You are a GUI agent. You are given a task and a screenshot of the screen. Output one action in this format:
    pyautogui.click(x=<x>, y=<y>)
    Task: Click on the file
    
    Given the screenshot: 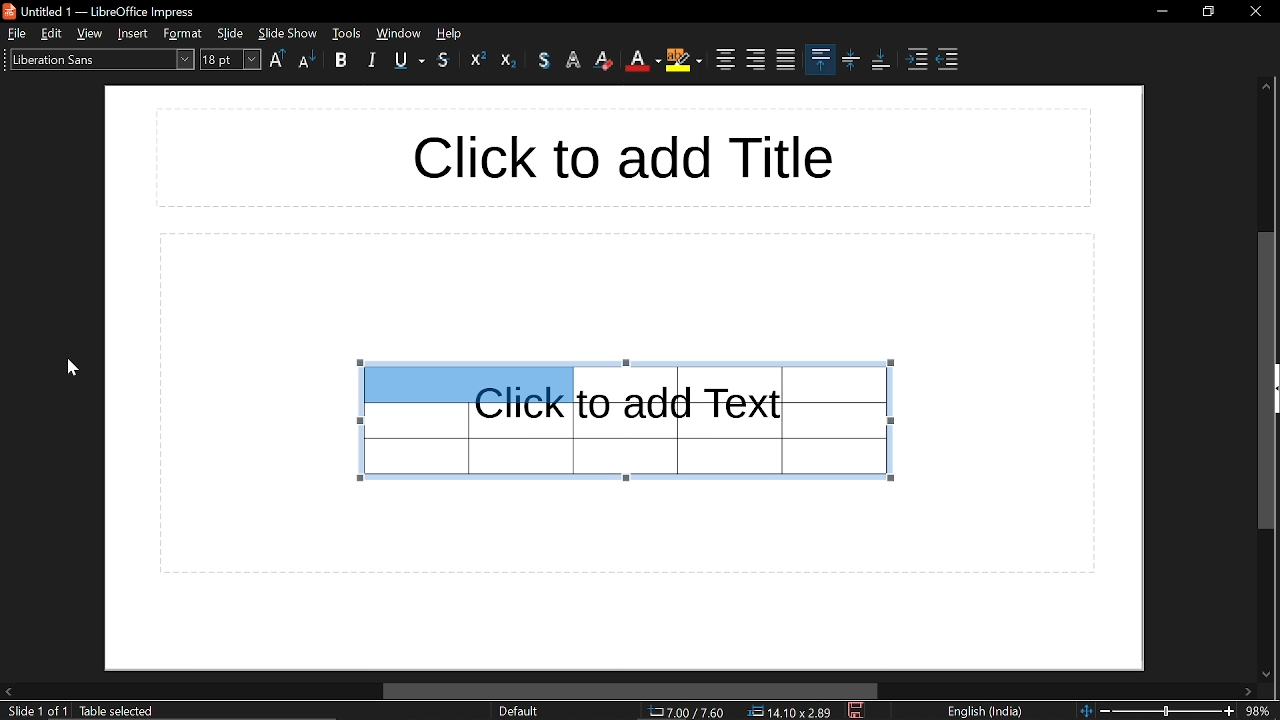 What is the action you would take?
    pyautogui.click(x=15, y=33)
    